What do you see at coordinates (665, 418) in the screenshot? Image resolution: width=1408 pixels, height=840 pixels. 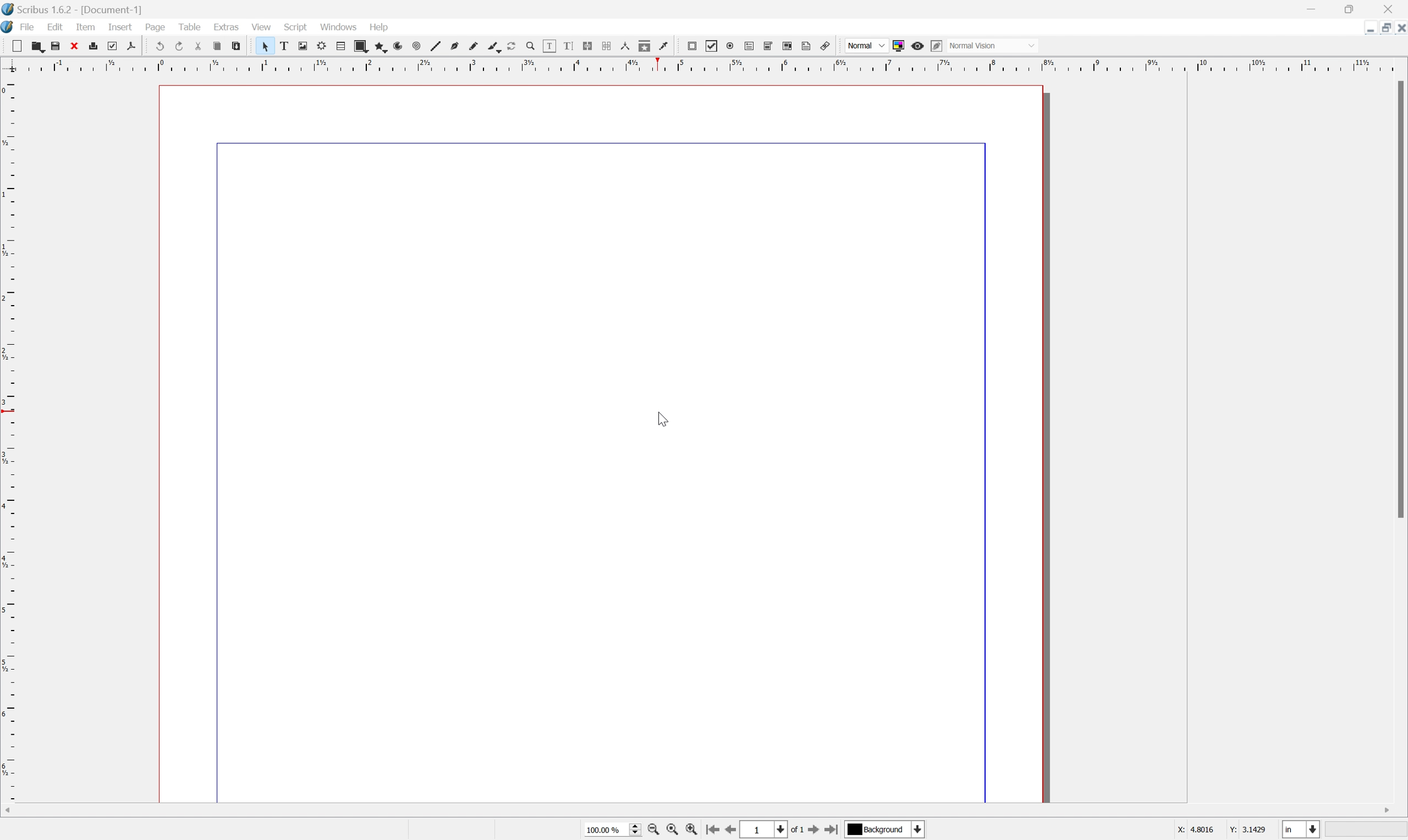 I see `cursor` at bounding box center [665, 418].